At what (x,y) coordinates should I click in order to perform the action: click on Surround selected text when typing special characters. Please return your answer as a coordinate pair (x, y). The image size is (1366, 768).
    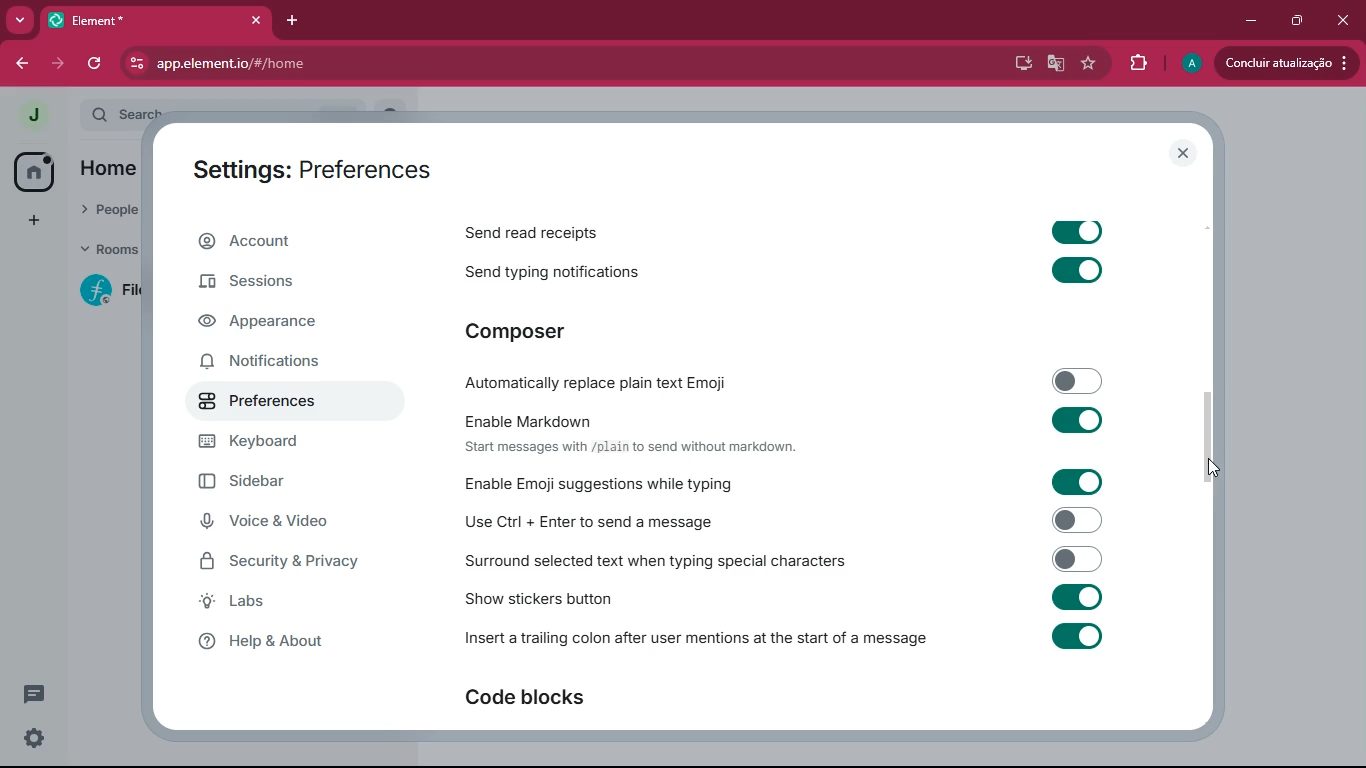
    Looking at the image, I should click on (782, 559).